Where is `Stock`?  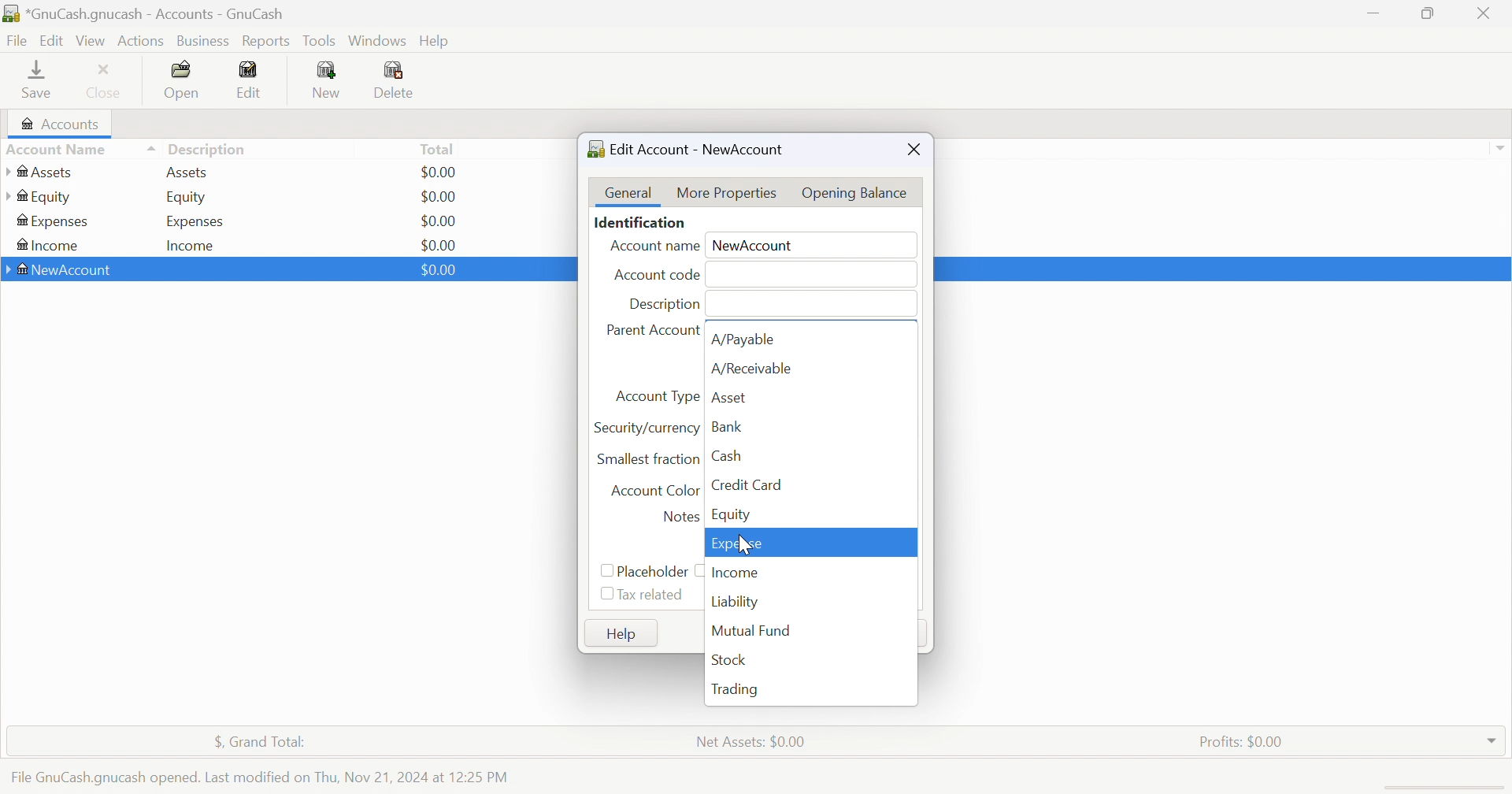 Stock is located at coordinates (731, 661).